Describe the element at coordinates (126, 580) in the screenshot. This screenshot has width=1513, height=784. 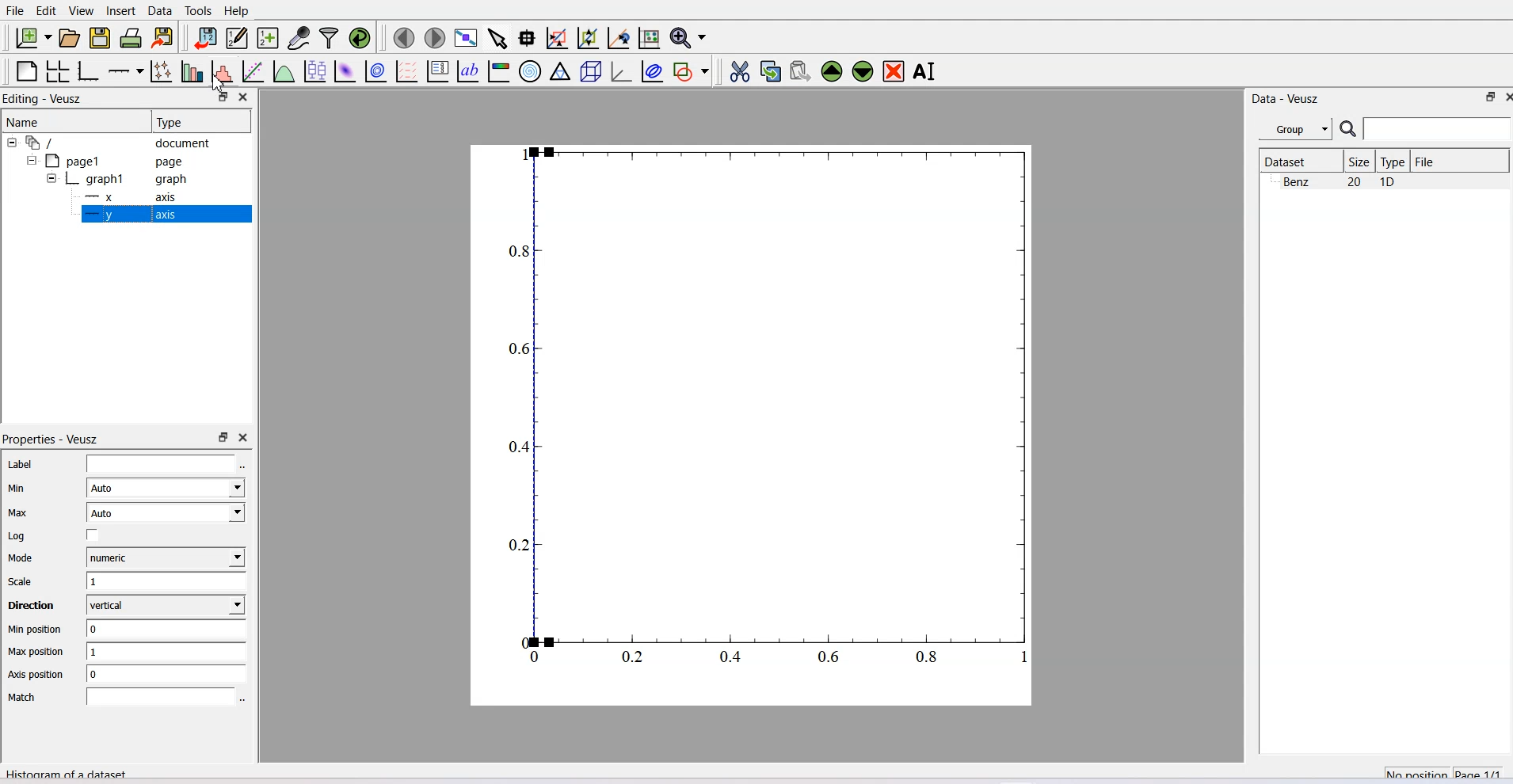
I see `Scale` at that location.